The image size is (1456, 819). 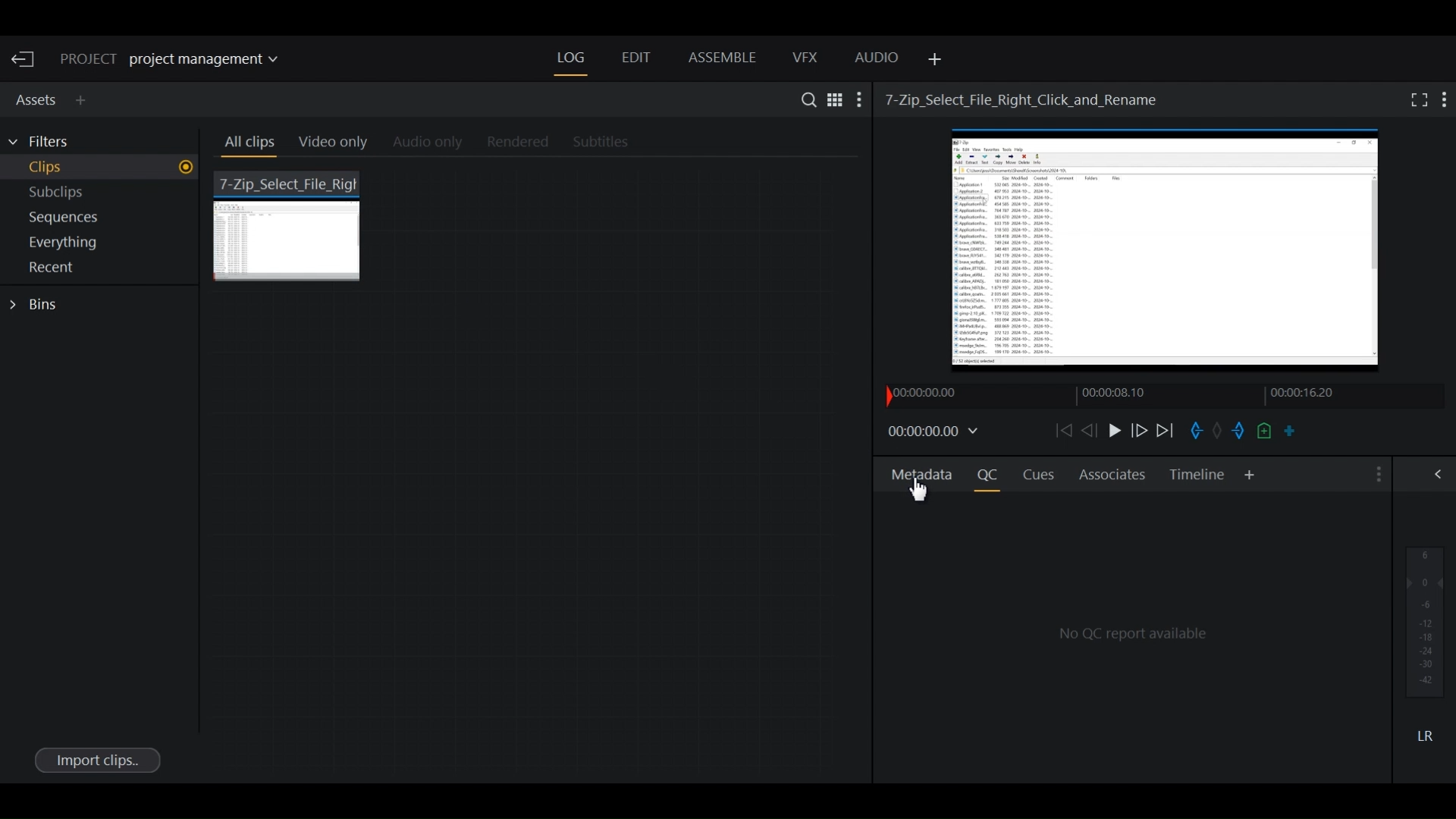 What do you see at coordinates (1025, 99) in the screenshot?
I see `Video Name` at bounding box center [1025, 99].